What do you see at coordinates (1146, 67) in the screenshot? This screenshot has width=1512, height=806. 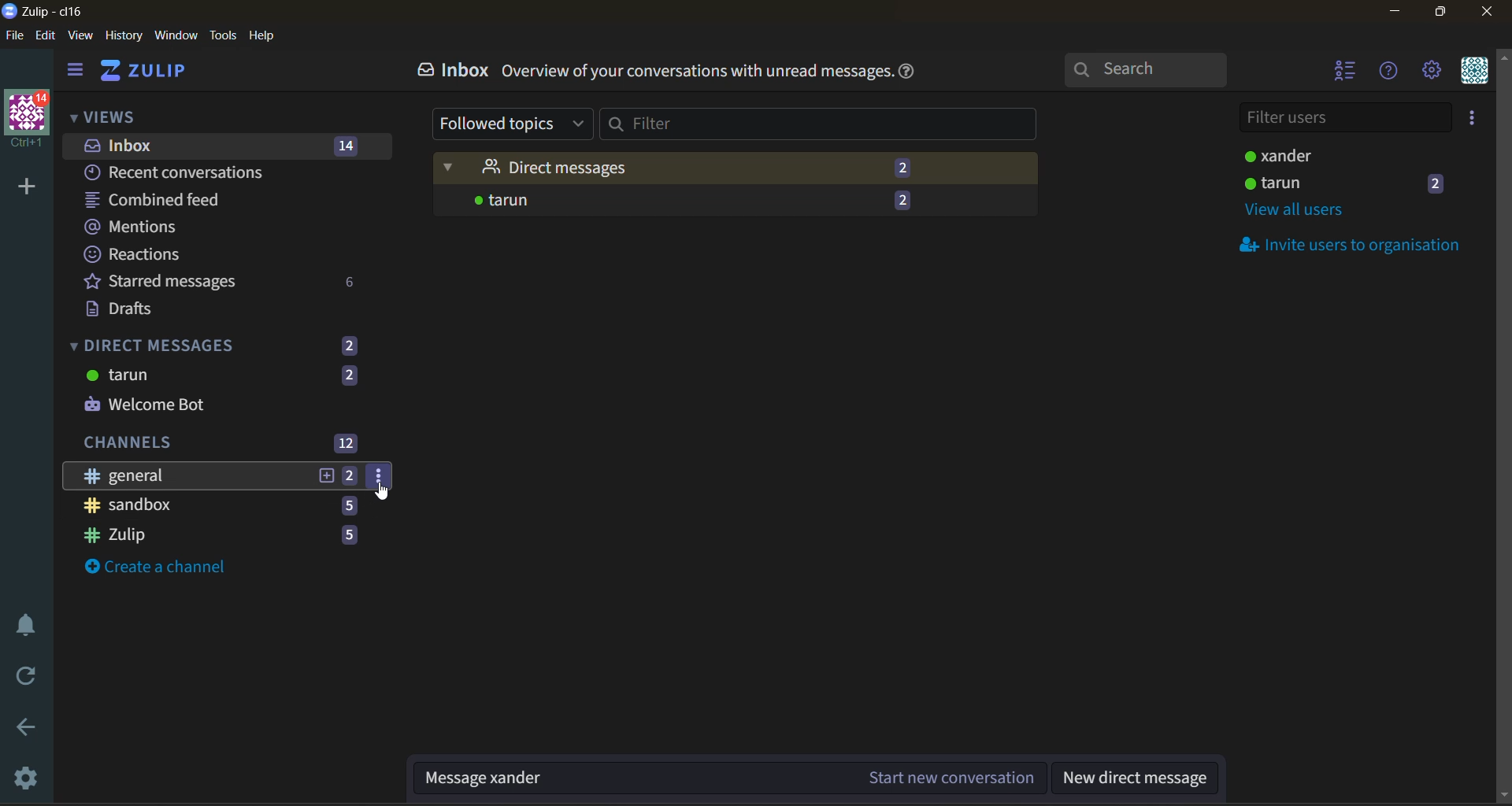 I see `search` at bounding box center [1146, 67].